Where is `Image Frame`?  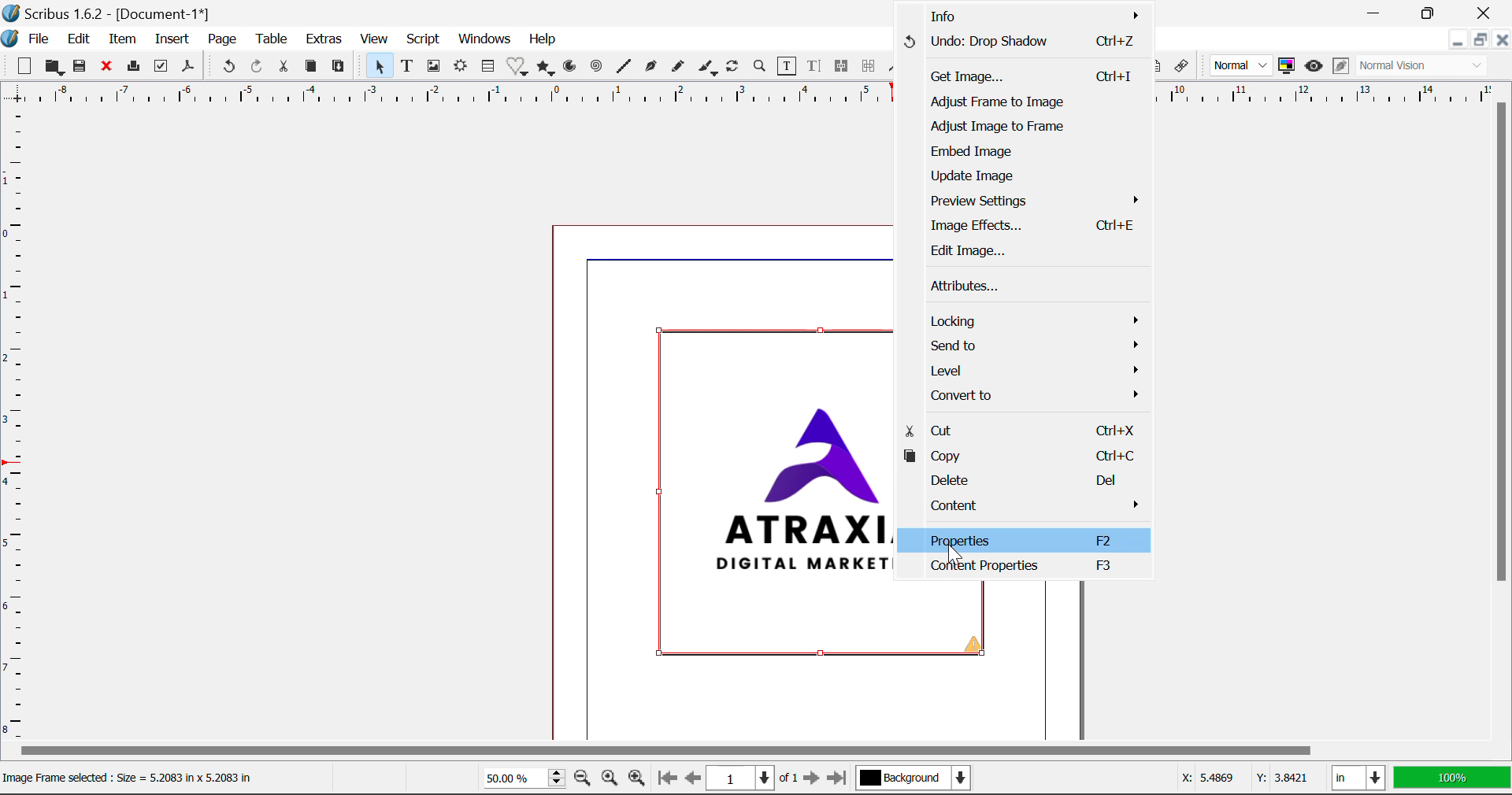 Image Frame is located at coordinates (435, 68).